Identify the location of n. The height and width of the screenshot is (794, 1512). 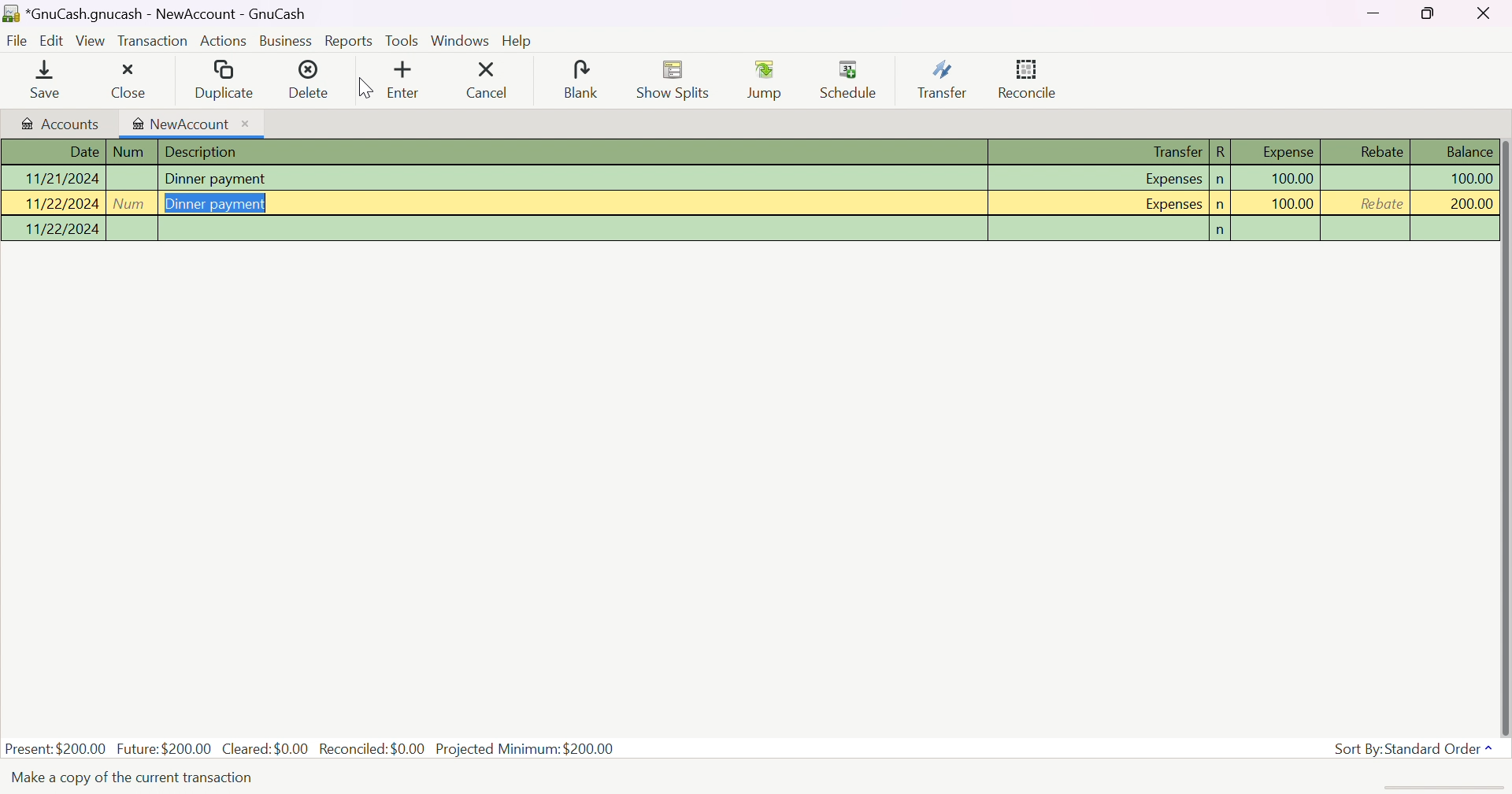
(1220, 232).